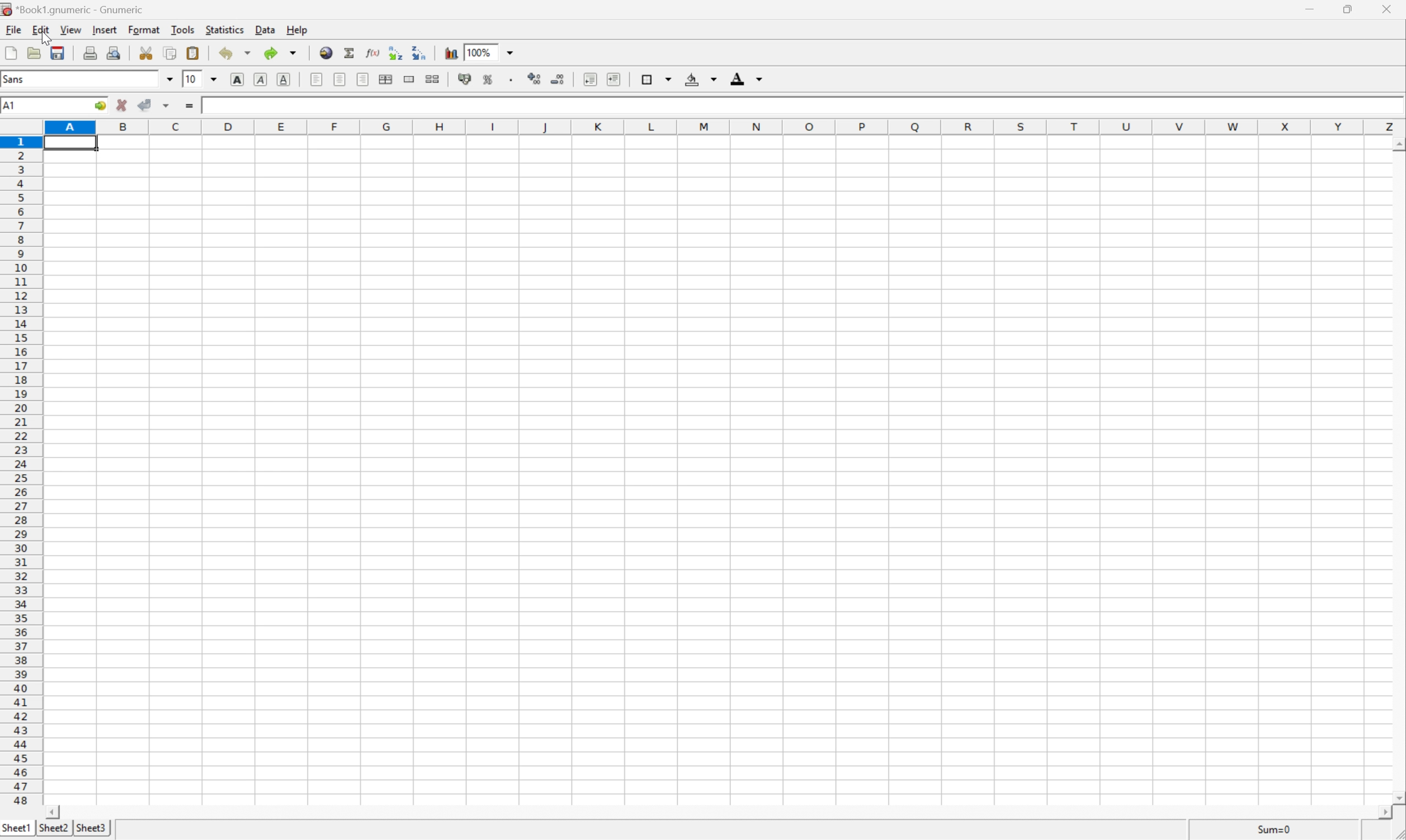 This screenshot has height=840, width=1406. Describe the element at coordinates (283, 79) in the screenshot. I see `underline` at that location.